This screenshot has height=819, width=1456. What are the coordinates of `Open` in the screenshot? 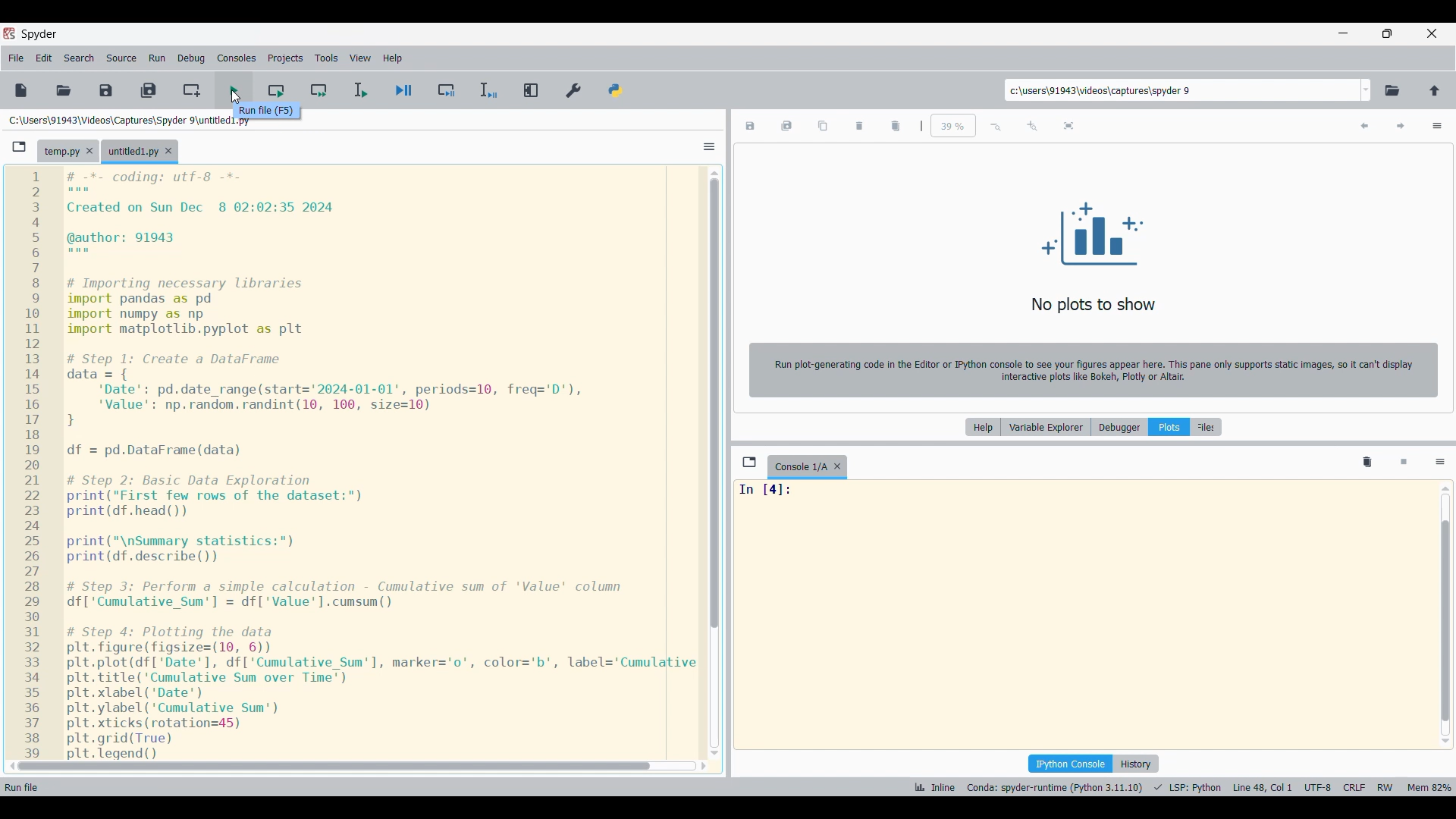 It's located at (64, 89).